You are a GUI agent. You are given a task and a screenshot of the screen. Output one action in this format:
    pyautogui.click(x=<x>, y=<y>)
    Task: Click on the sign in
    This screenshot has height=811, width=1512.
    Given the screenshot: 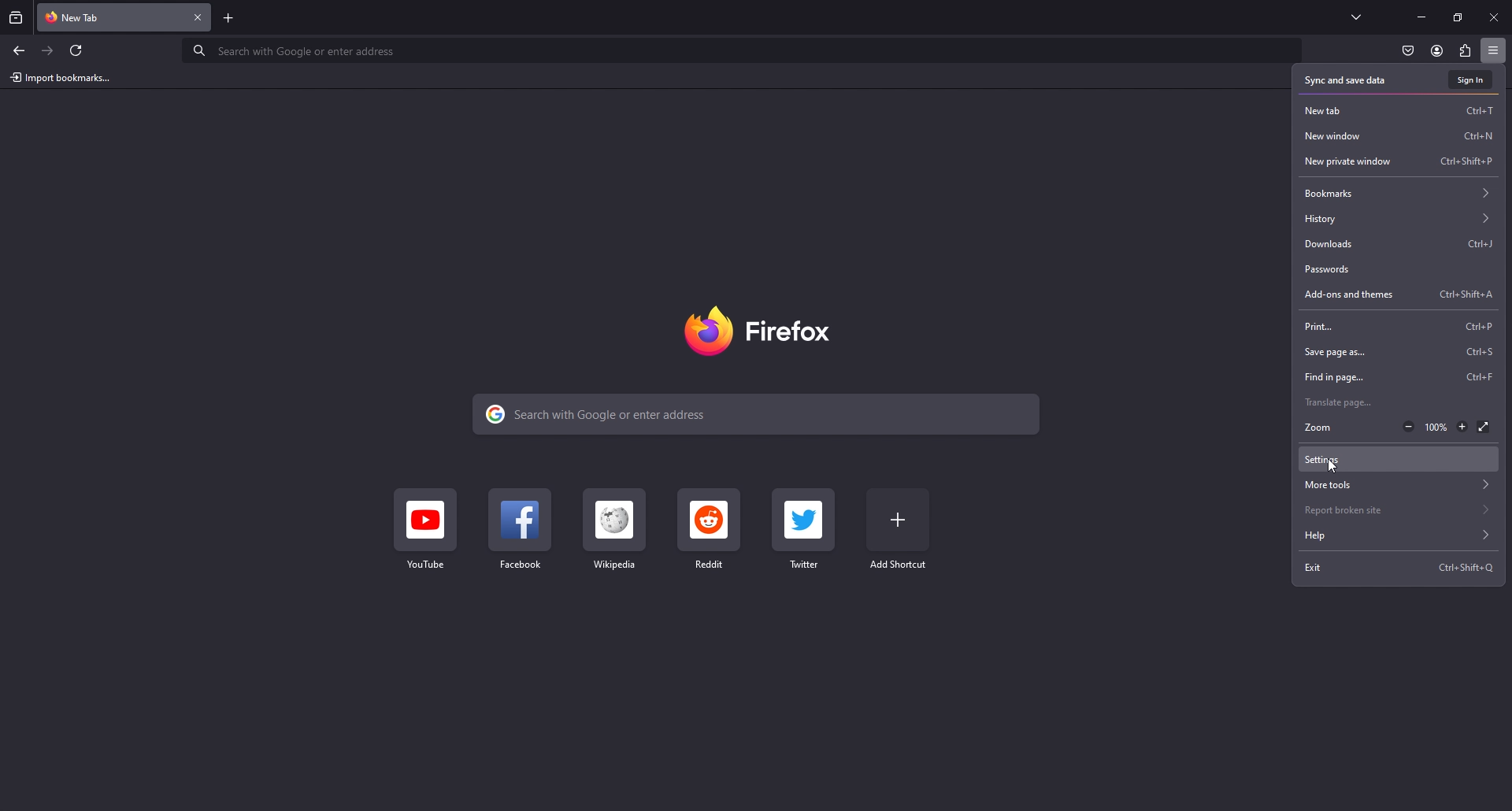 What is the action you would take?
    pyautogui.click(x=1472, y=80)
    